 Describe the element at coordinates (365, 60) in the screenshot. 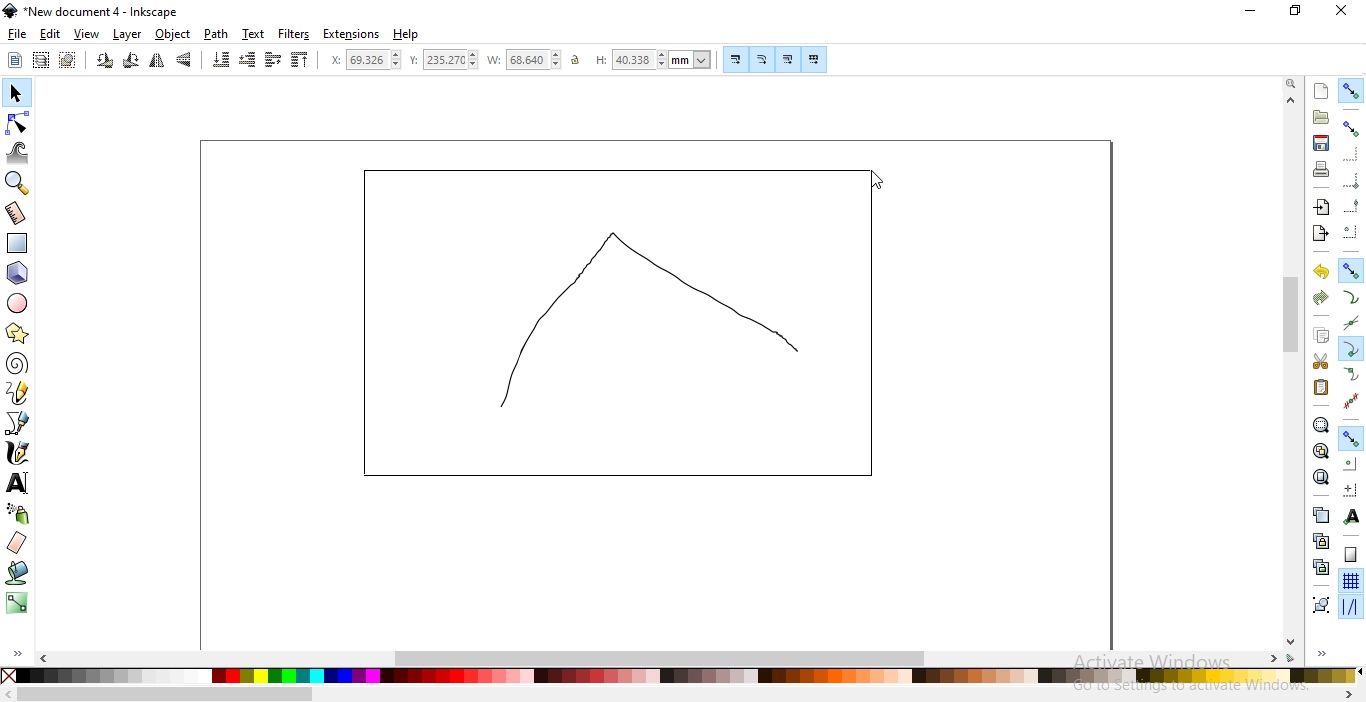

I see `horizontal coordinate of selection` at that location.